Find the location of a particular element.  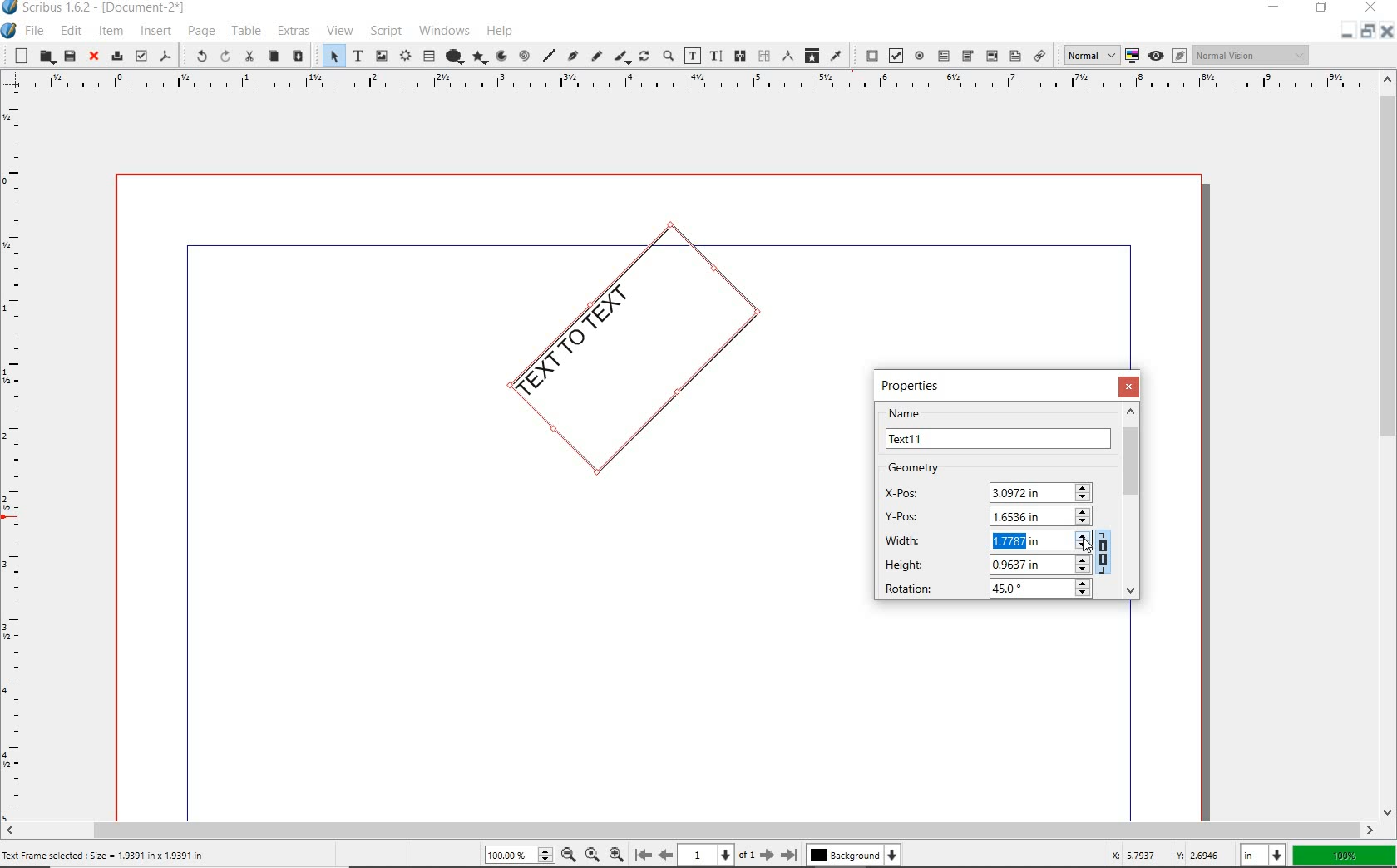

Y-POS is located at coordinates (984, 515).